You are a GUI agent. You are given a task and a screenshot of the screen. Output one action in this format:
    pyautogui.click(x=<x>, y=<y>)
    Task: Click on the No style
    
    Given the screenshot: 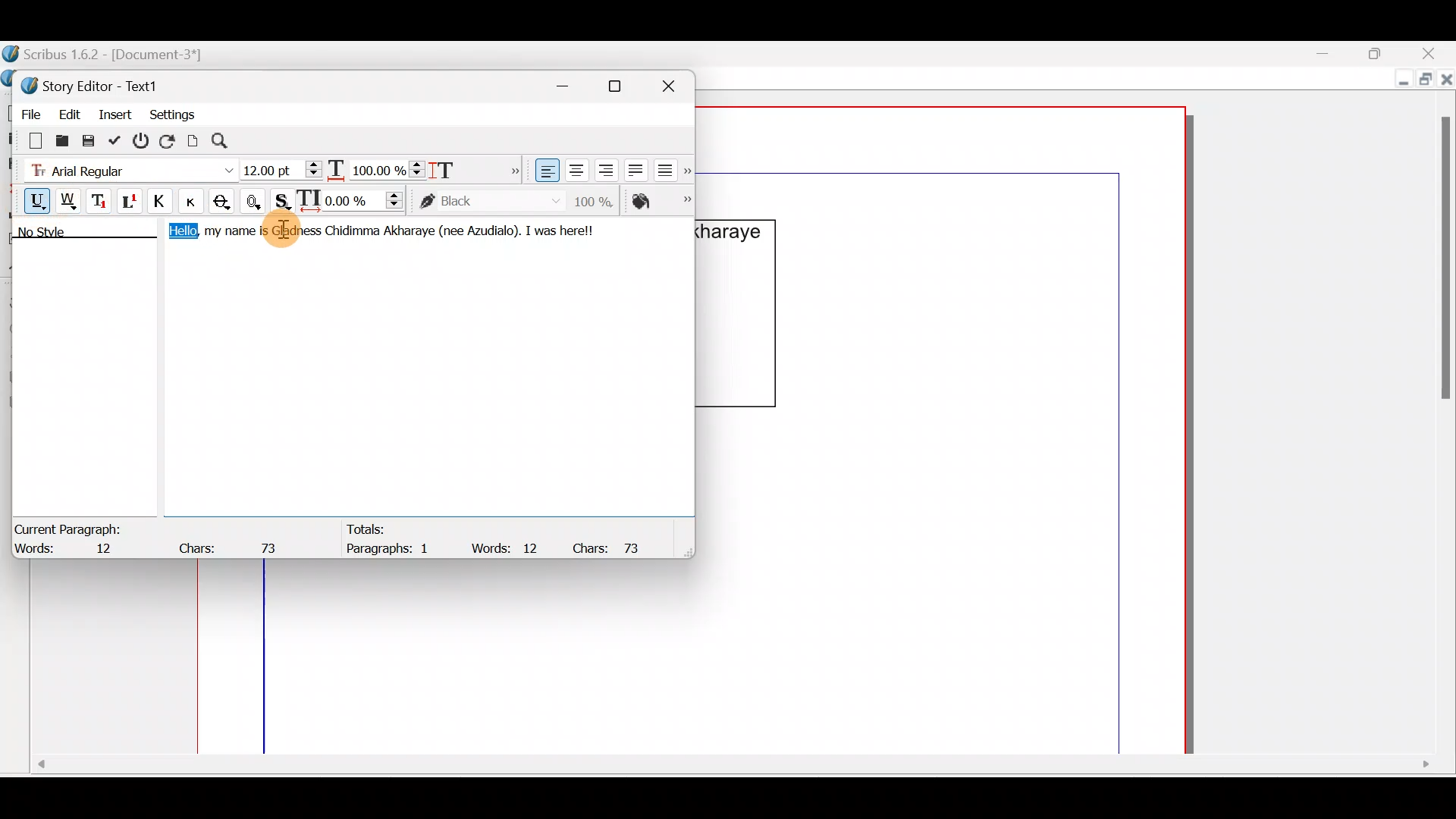 What is the action you would take?
    pyautogui.click(x=58, y=234)
    